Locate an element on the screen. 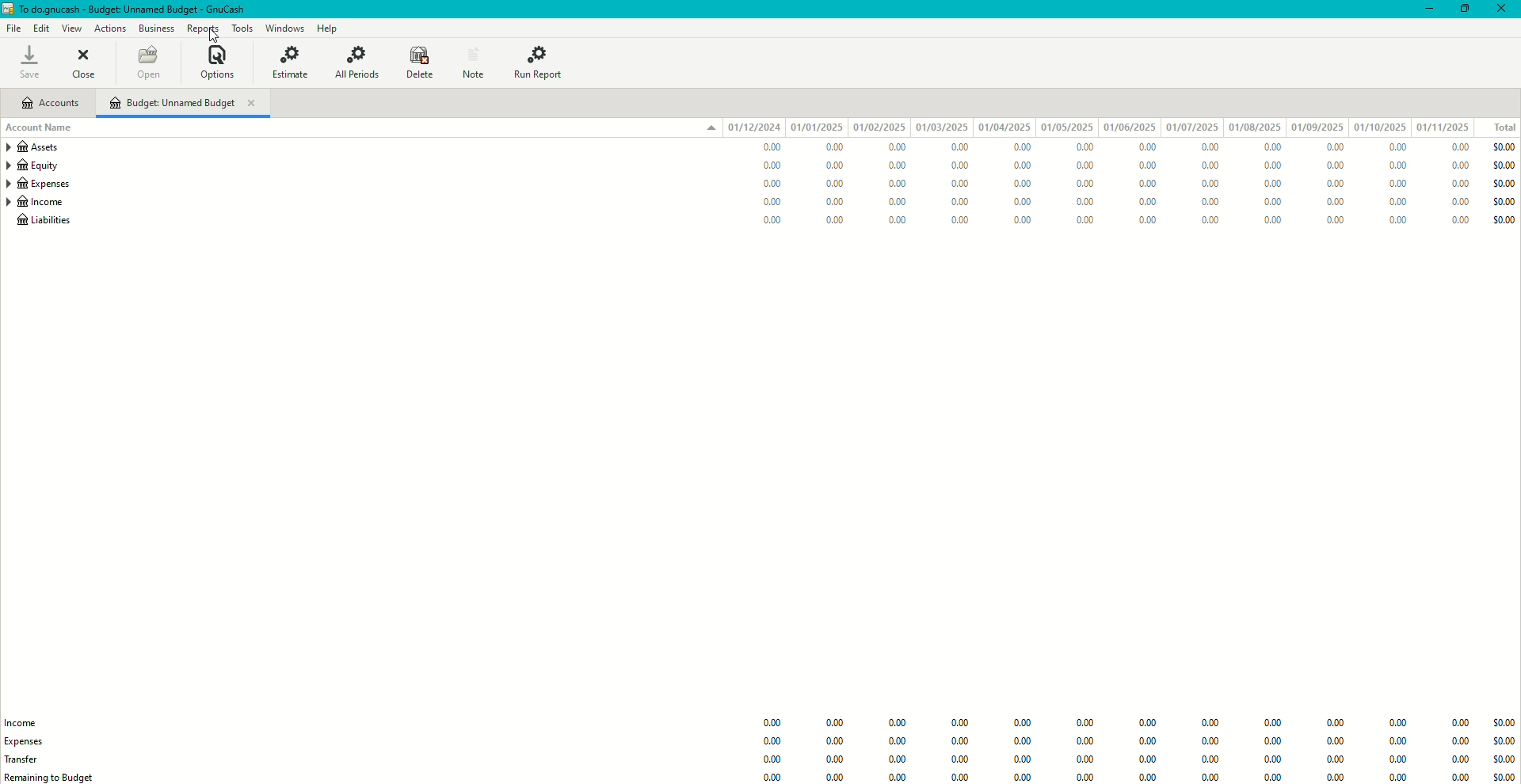 This screenshot has height=784, width=1521. $0.00 is located at coordinates (1504, 147).